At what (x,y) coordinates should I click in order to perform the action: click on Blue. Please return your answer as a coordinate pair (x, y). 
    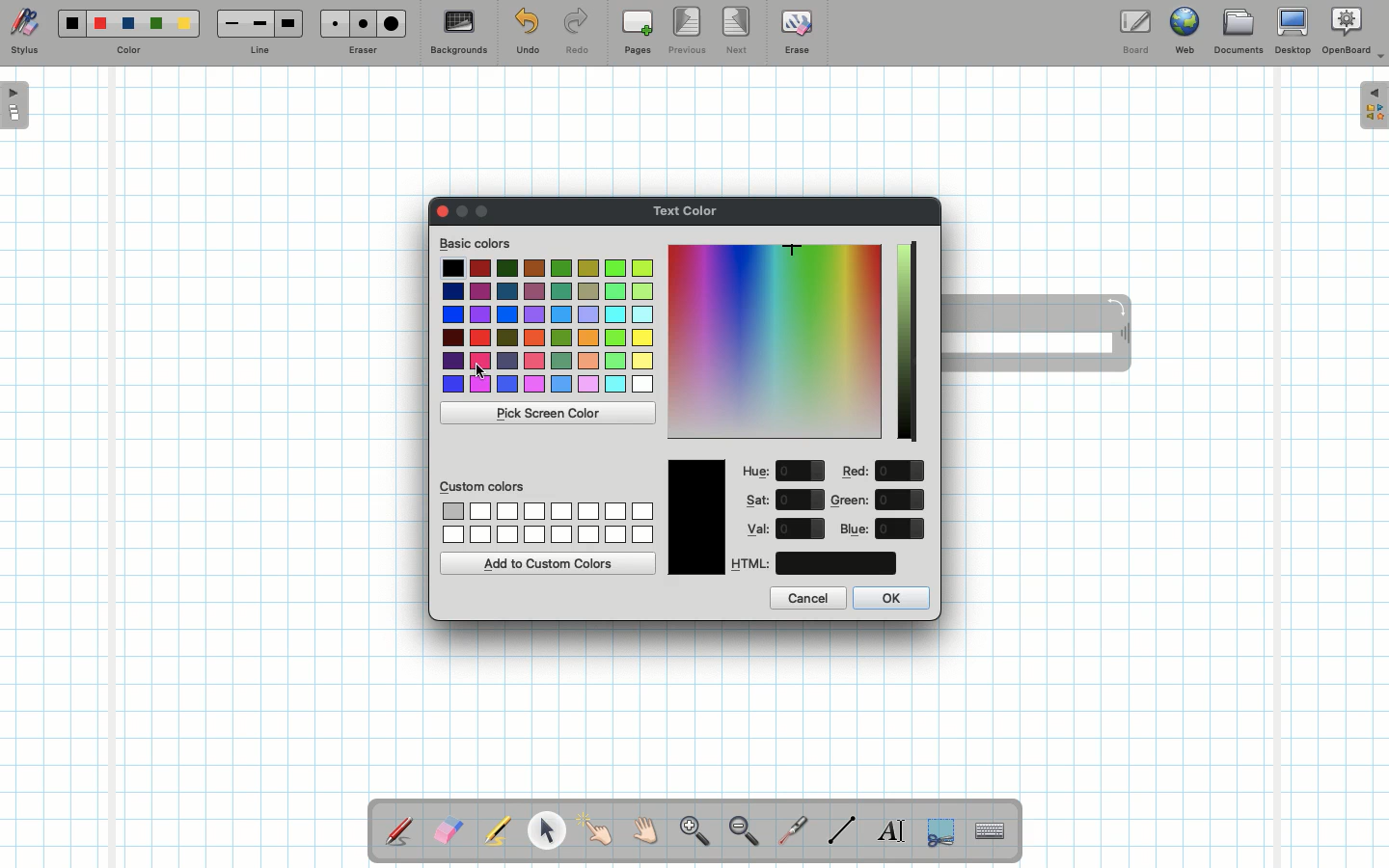
    Looking at the image, I should click on (129, 24).